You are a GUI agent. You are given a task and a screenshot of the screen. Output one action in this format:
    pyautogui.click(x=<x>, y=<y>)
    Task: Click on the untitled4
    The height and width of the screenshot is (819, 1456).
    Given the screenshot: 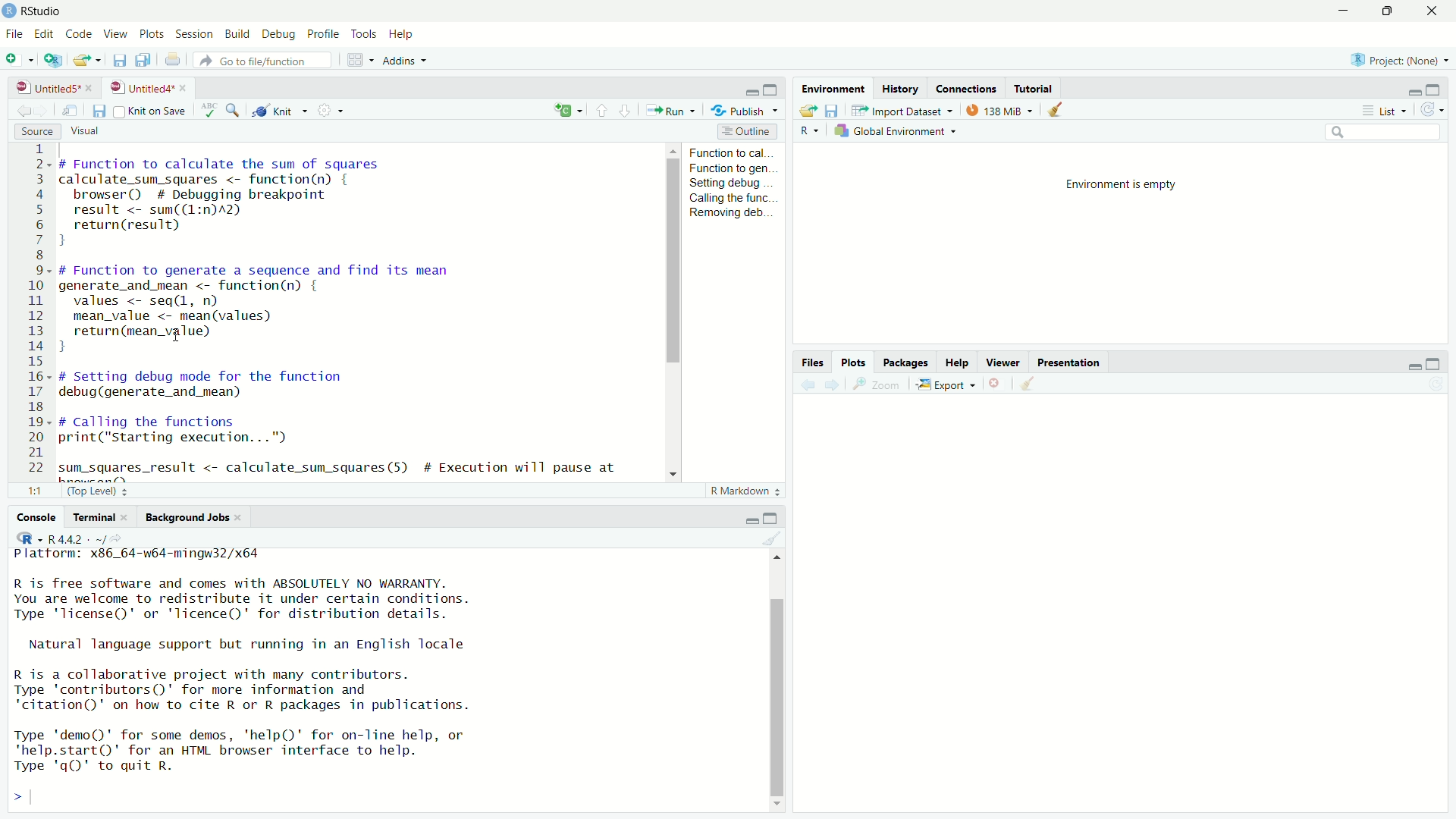 What is the action you would take?
    pyautogui.click(x=143, y=87)
    